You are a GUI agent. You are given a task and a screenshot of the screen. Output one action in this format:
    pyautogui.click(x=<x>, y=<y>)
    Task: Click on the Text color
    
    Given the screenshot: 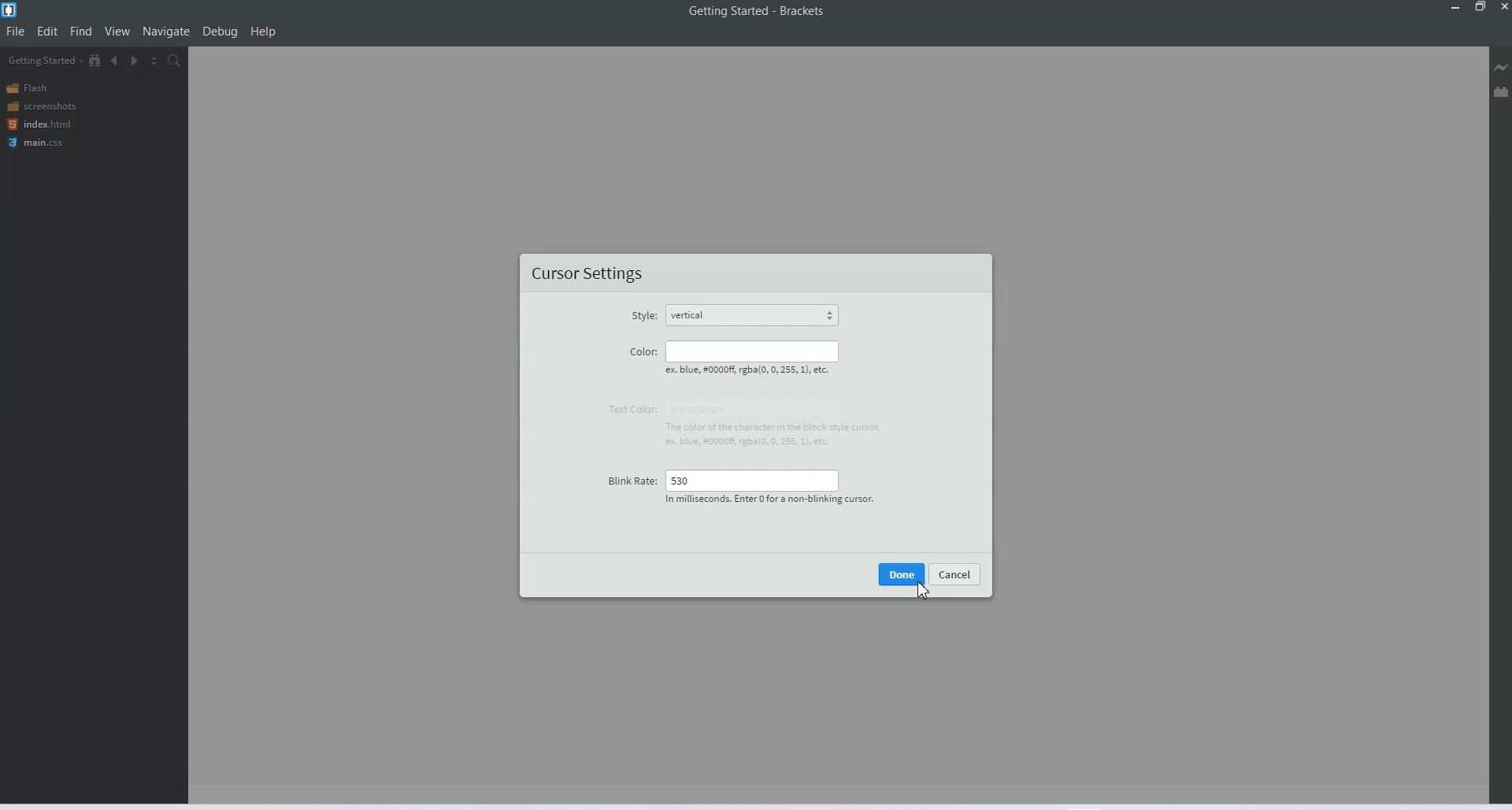 What is the action you would take?
    pyautogui.click(x=628, y=411)
    